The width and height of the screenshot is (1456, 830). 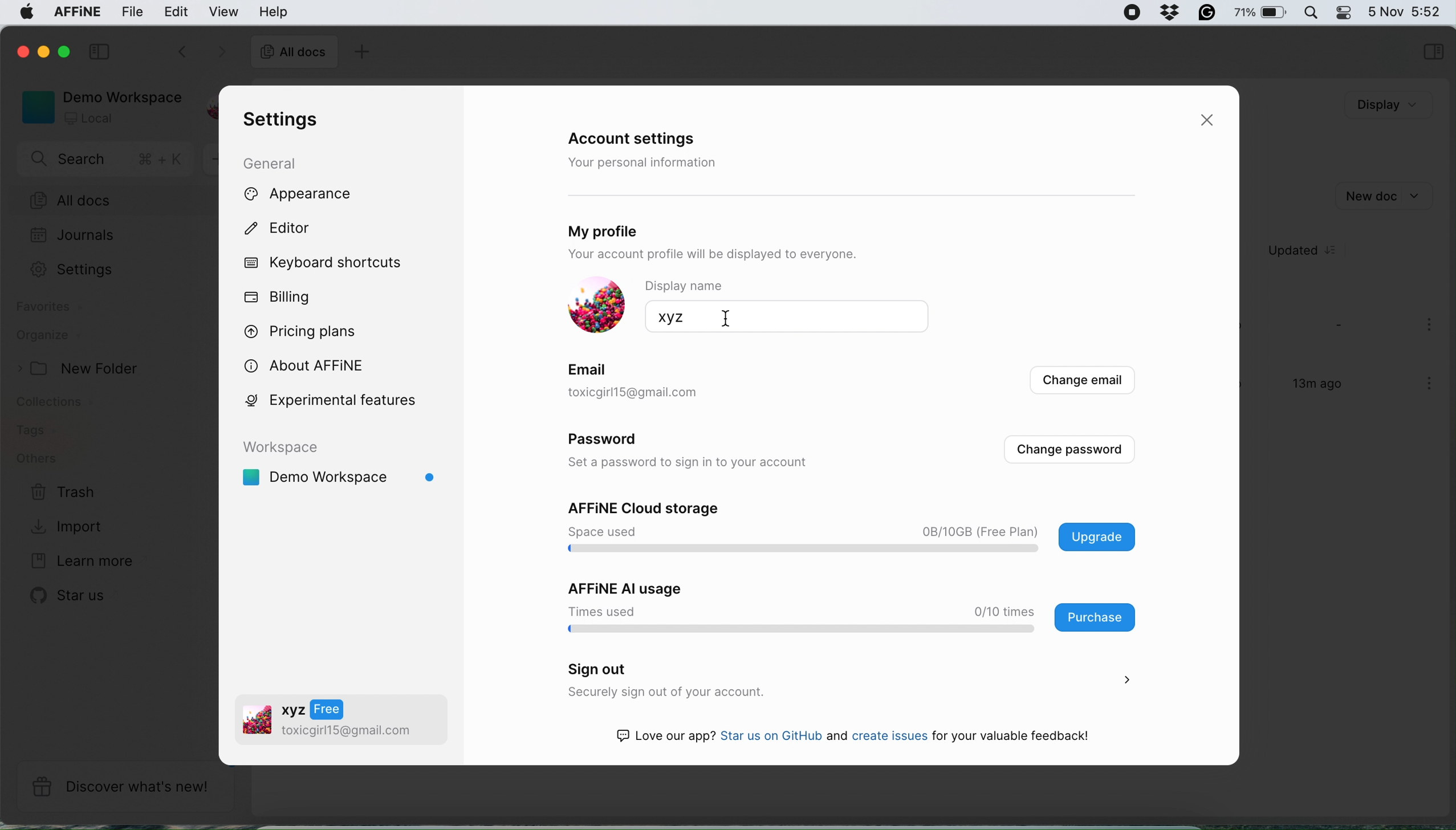 What do you see at coordinates (48, 337) in the screenshot?
I see `organize` at bounding box center [48, 337].